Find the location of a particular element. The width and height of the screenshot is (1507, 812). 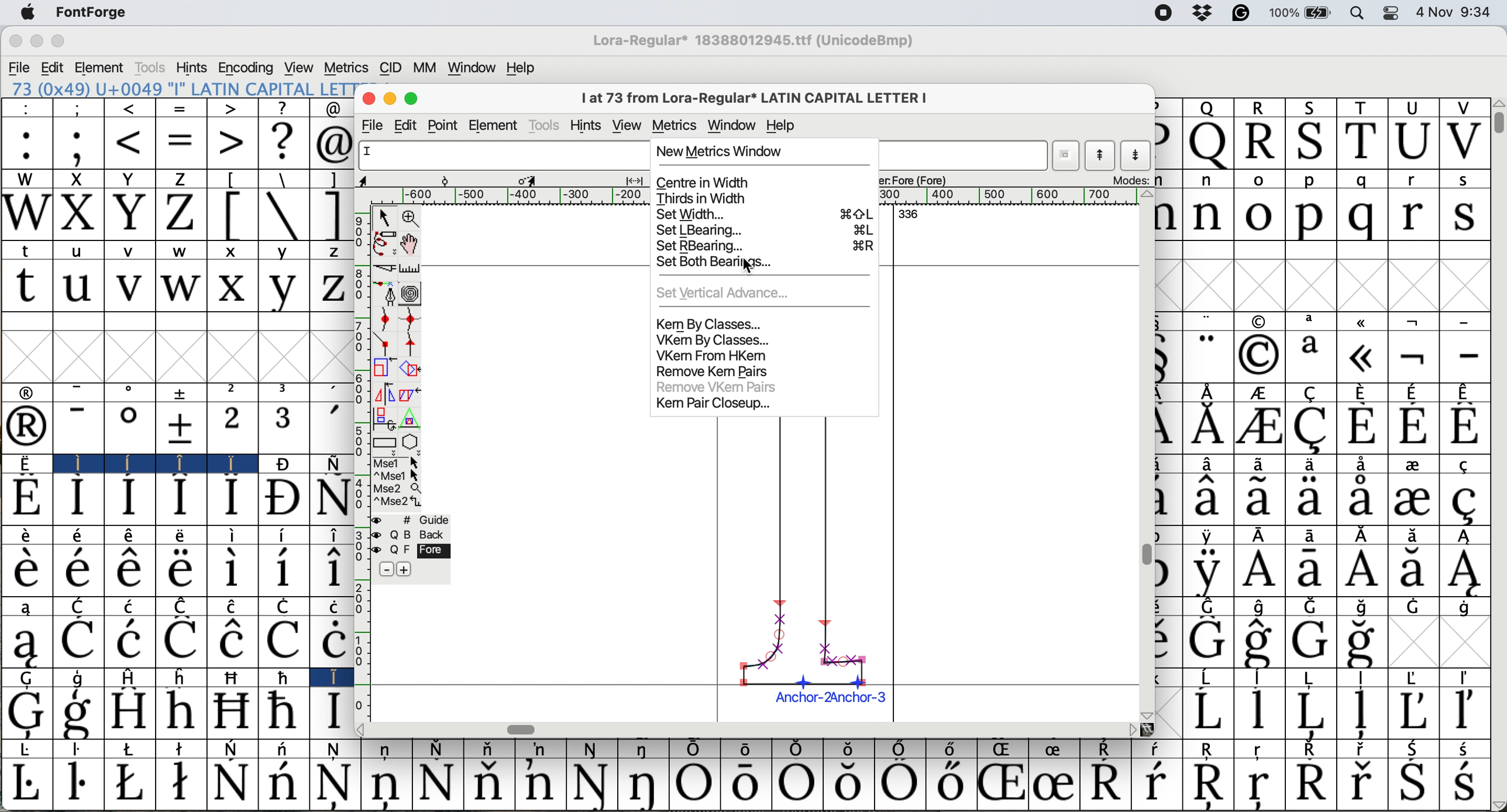

Symbol is located at coordinates (1055, 783).